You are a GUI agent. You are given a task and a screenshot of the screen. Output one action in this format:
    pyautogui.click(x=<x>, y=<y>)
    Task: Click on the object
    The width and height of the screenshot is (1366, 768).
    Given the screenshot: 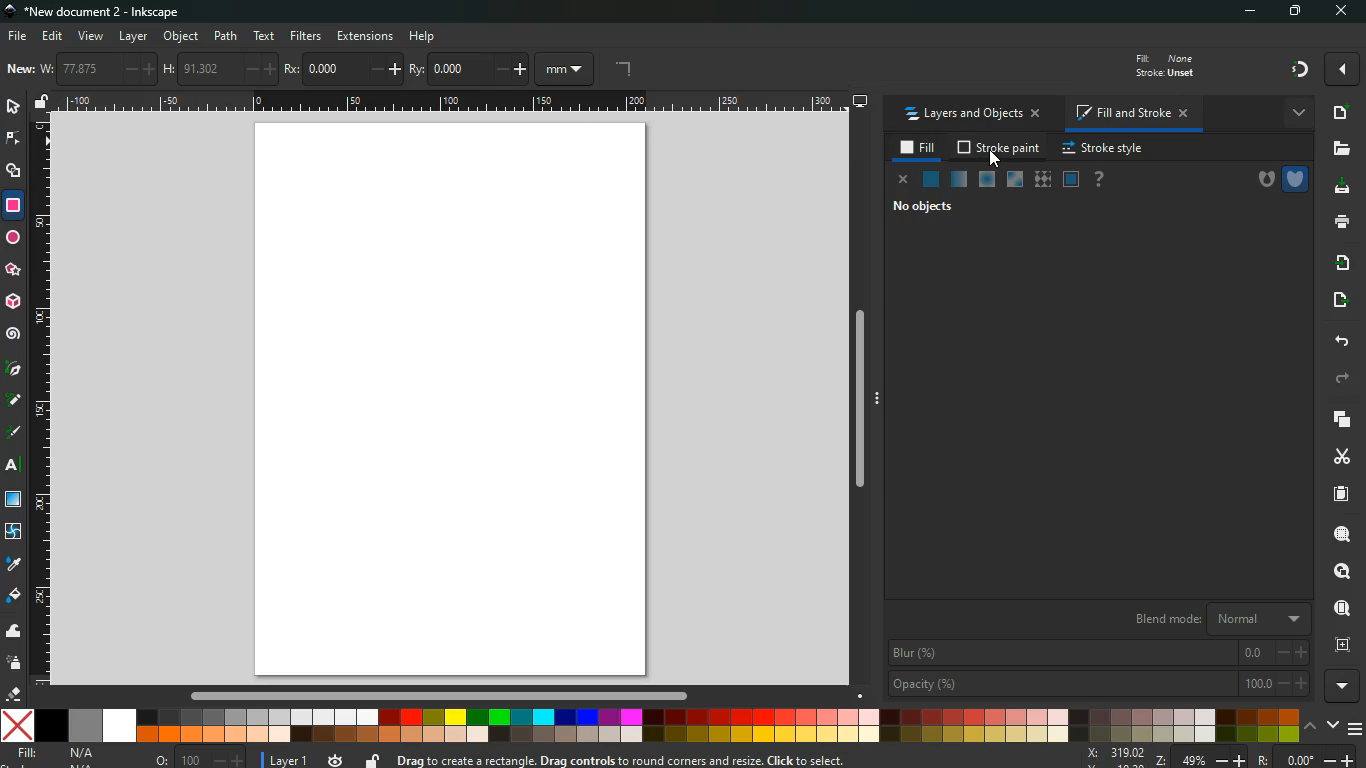 What is the action you would take?
    pyautogui.click(x=181, y=36)
    